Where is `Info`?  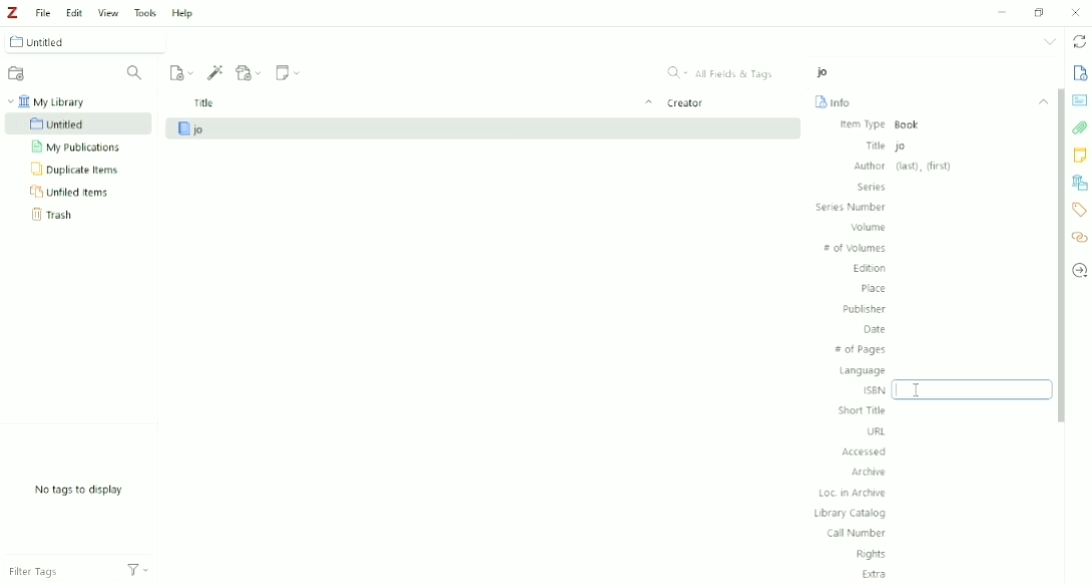
Info is located at coordinates (833, 102).